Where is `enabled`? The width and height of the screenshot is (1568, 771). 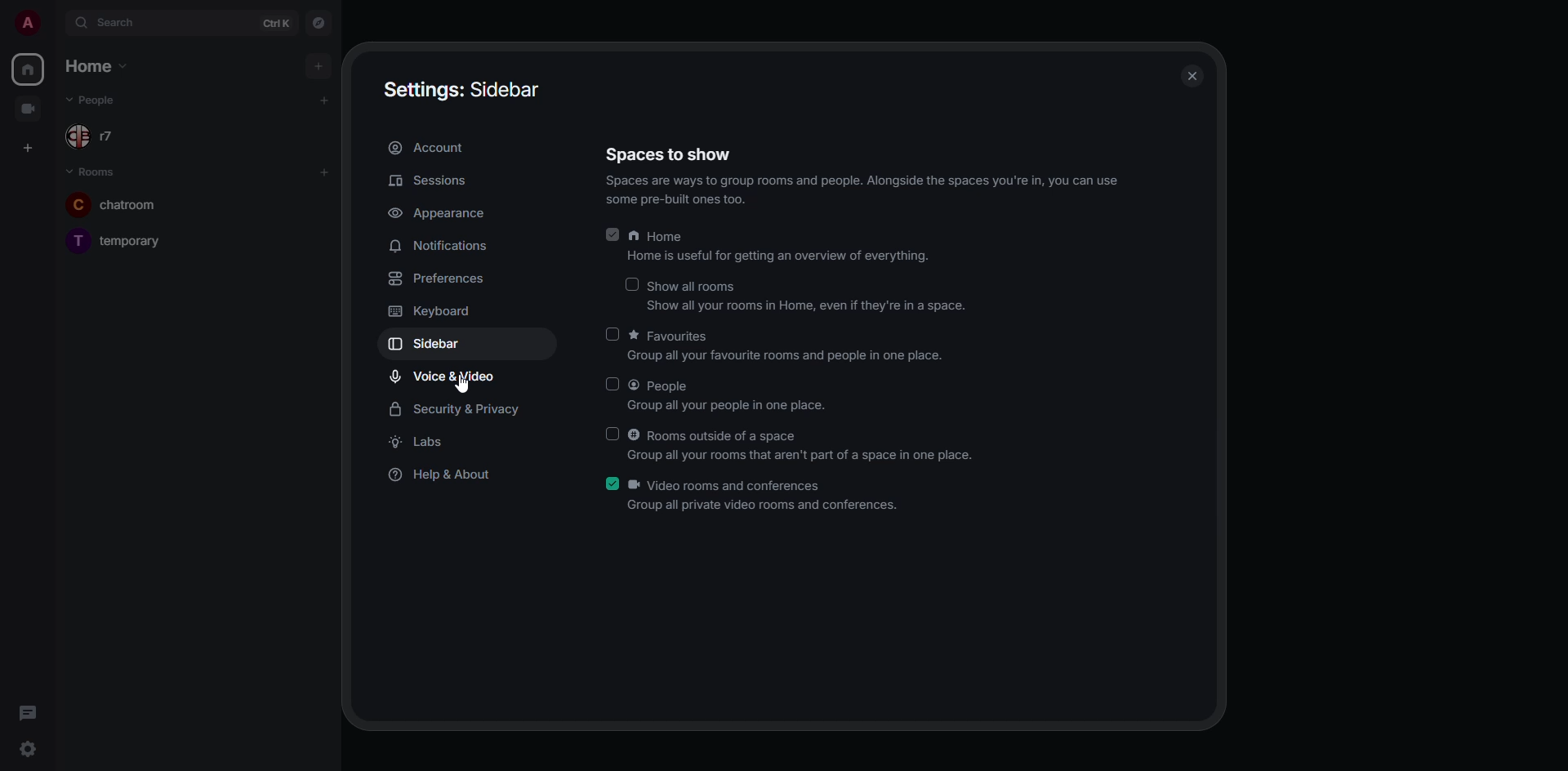 enabled is located at coordinates (612, 234).